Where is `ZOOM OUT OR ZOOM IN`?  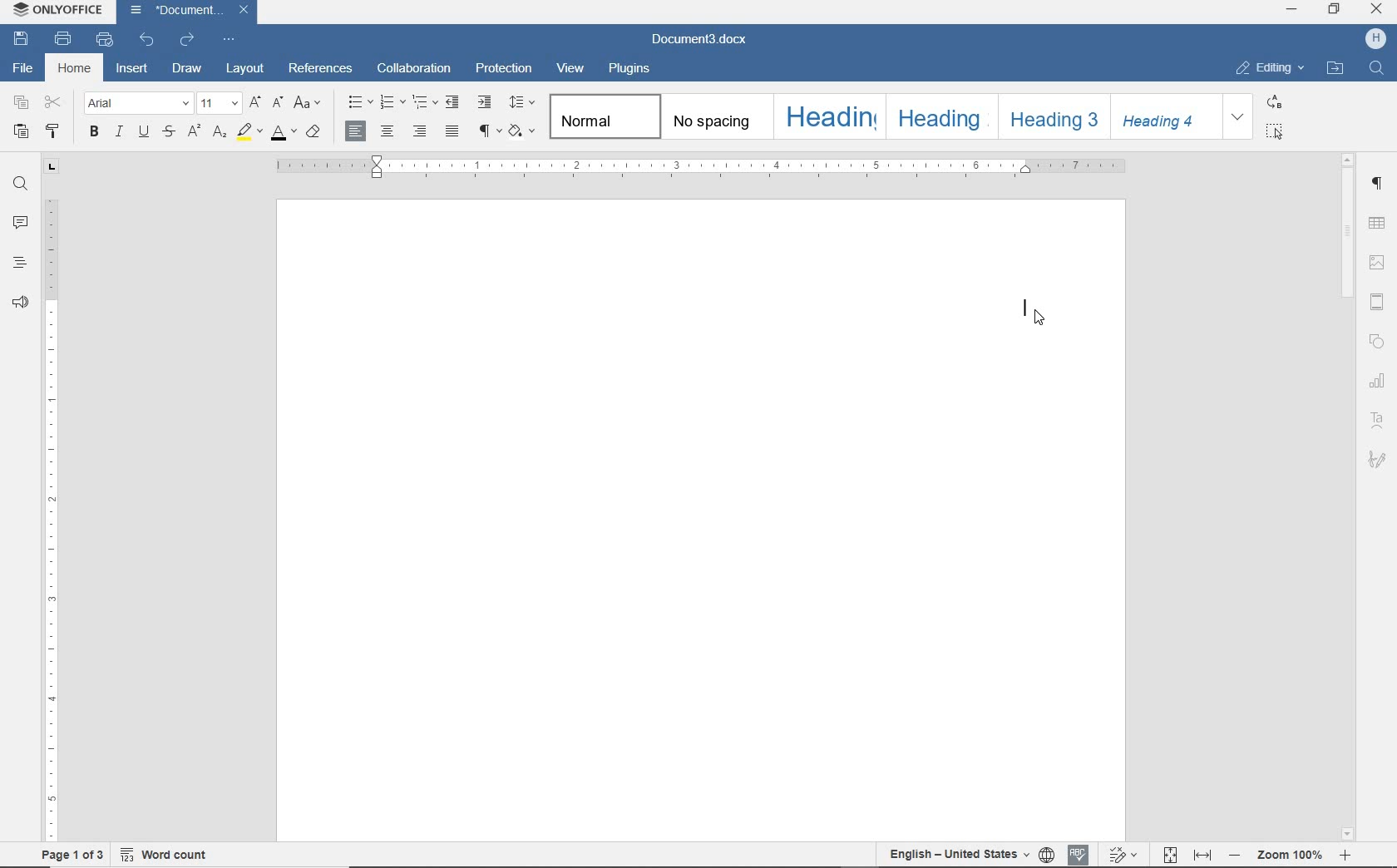
ZOOM OUT OR ZOOM IN is located at coordinates (1290, 856).